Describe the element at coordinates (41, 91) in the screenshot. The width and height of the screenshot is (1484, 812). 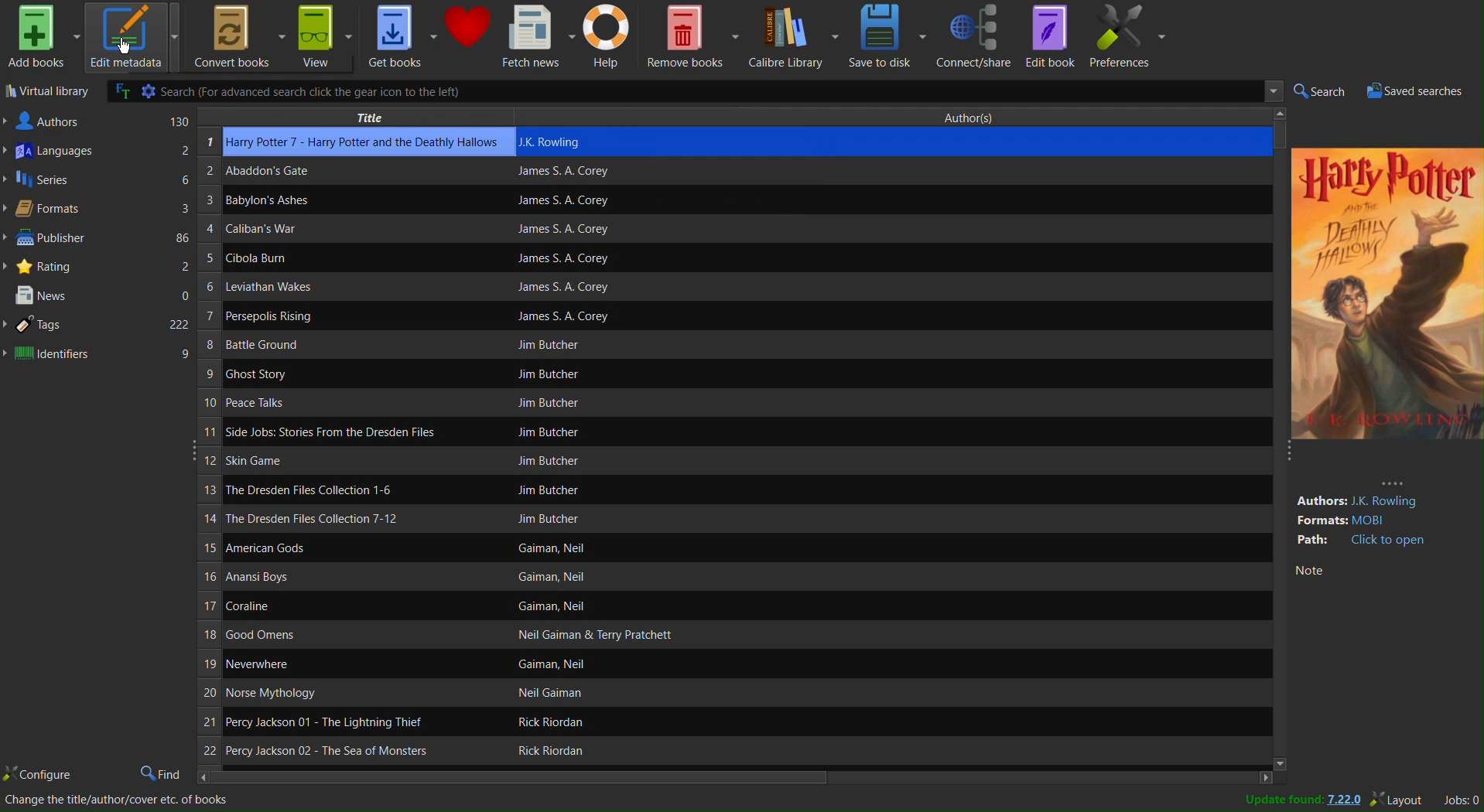
I see `Virtual library` at that location.